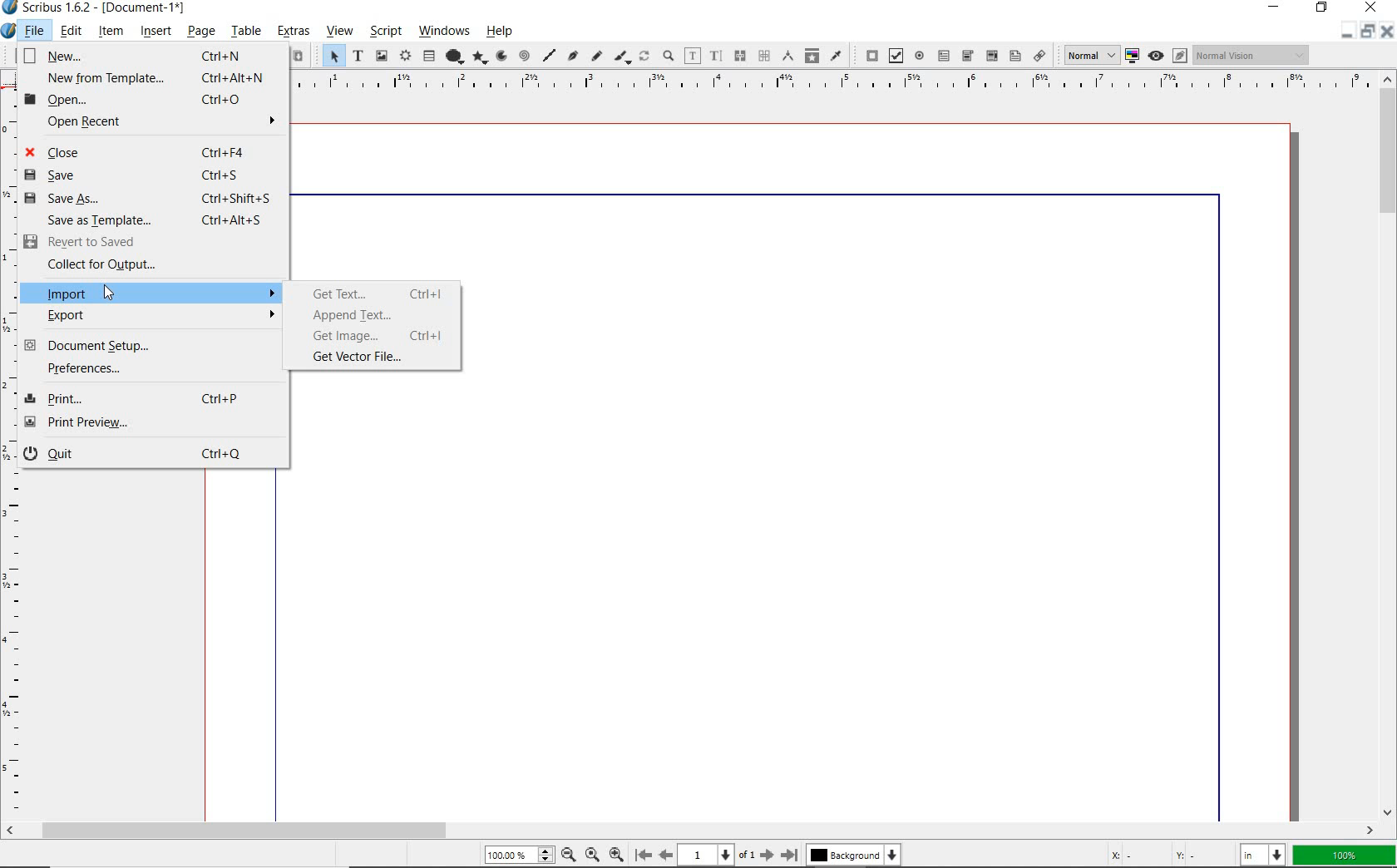  Describe the element at coordinates (1265, 856) in the screenshot. I see `select unit: in` at that location.